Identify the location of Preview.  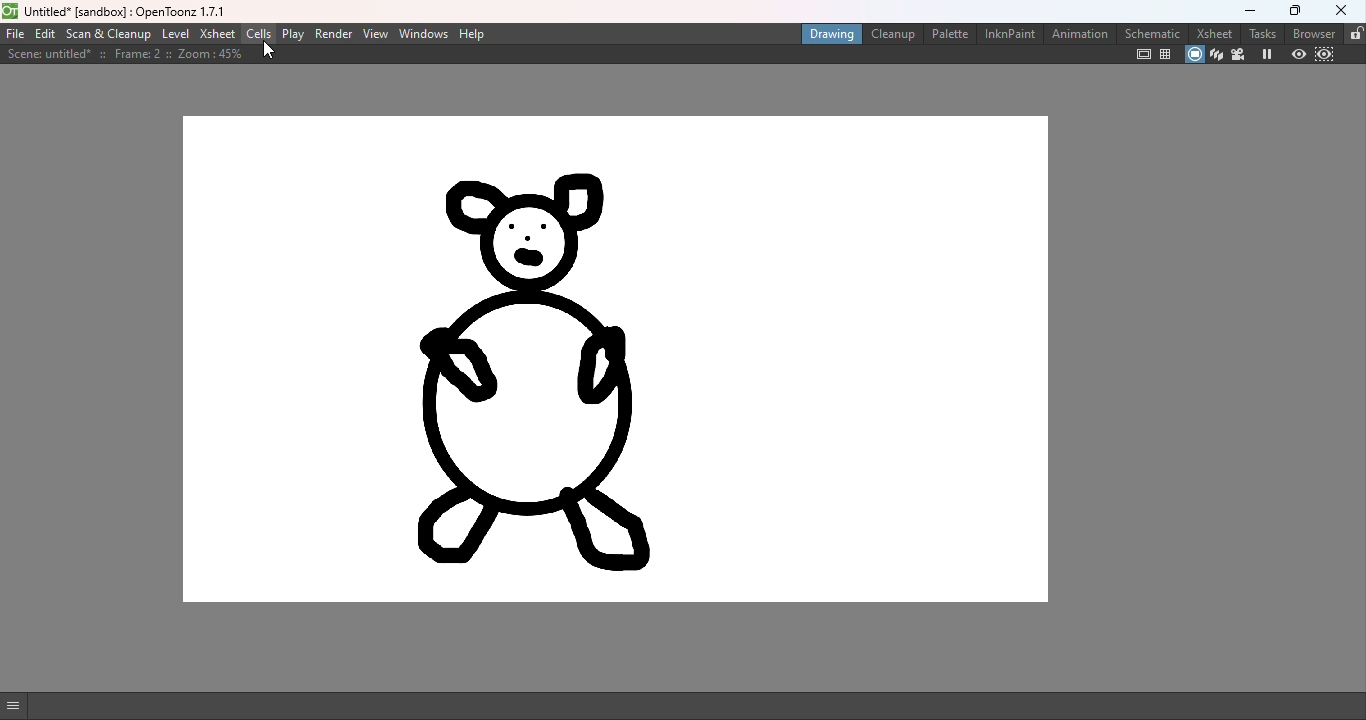
(1299, 56).